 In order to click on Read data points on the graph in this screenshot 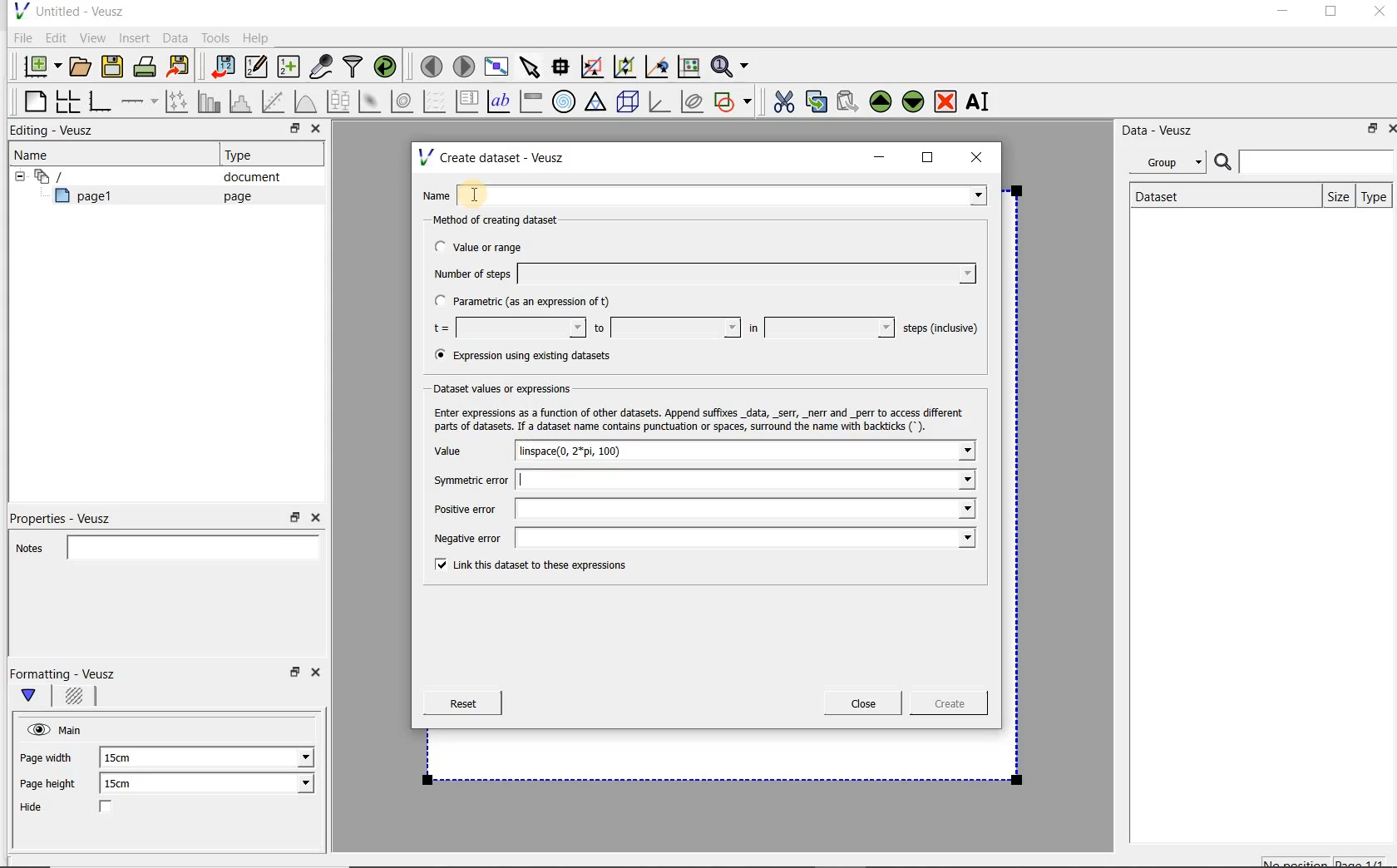, I will do `click(563, 67)`.